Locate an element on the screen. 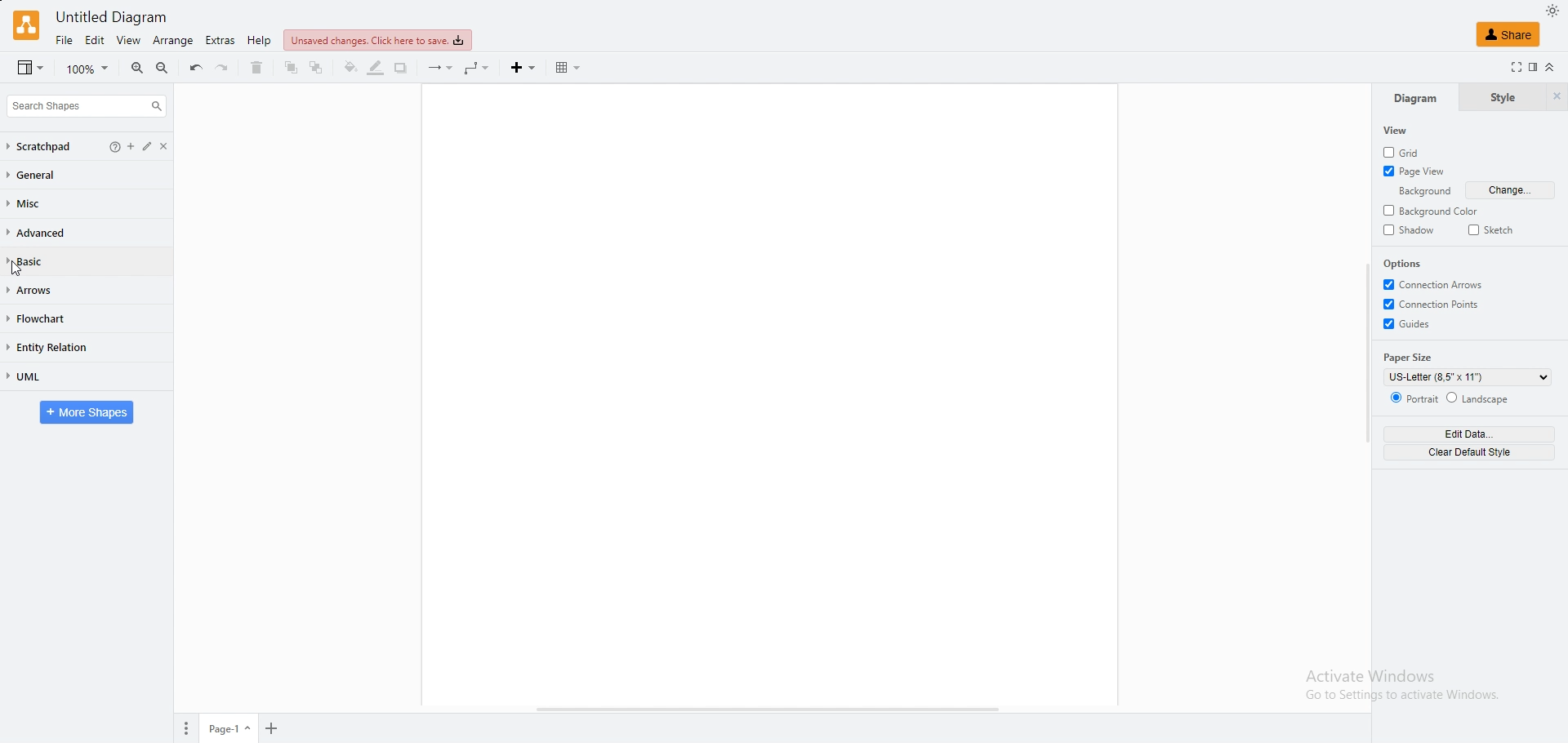 This screenshot has width=1568, height=743. uml is located at coordinates (41, 376).